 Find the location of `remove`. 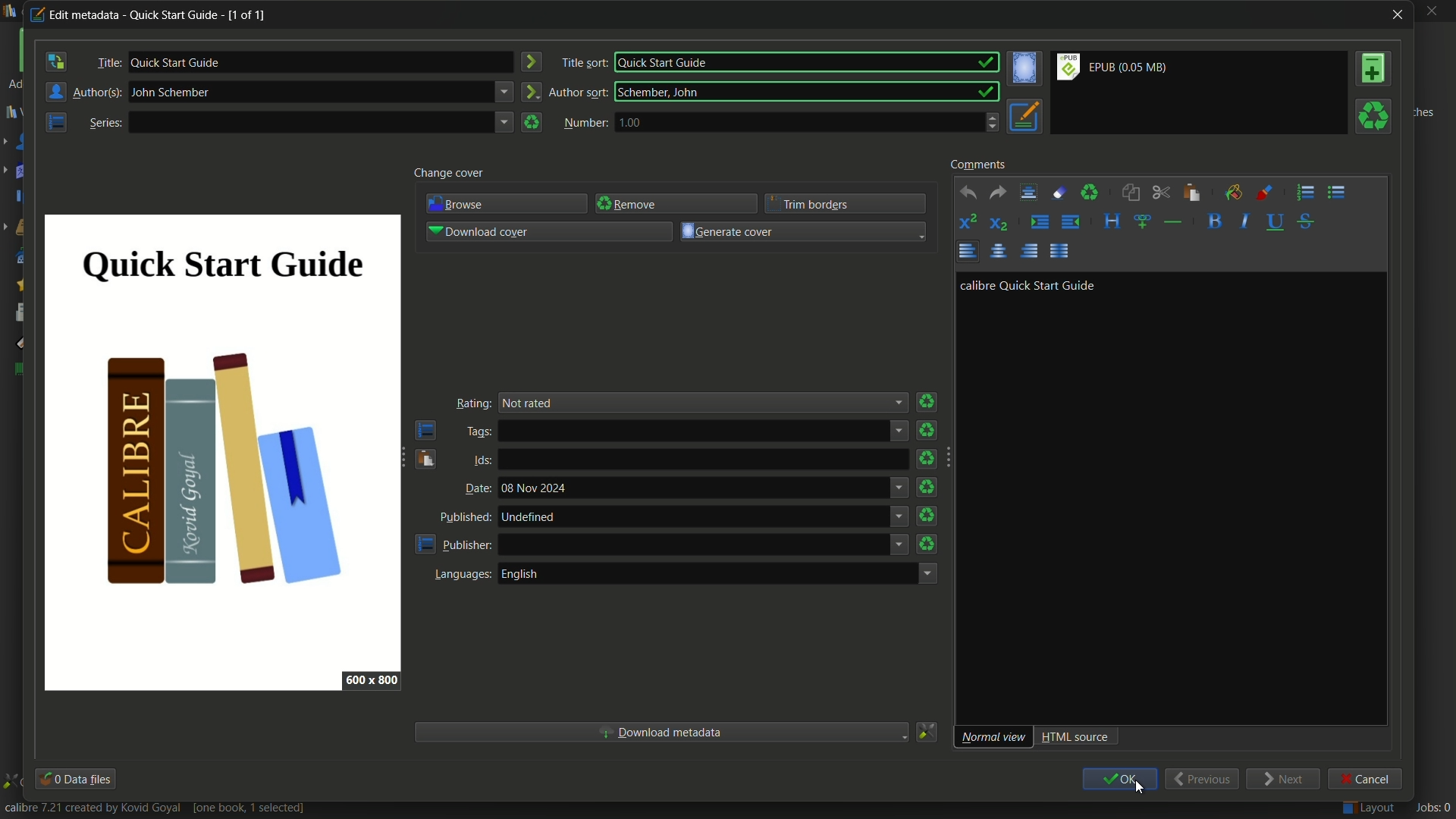

remove is located at coordinates (926, 516).